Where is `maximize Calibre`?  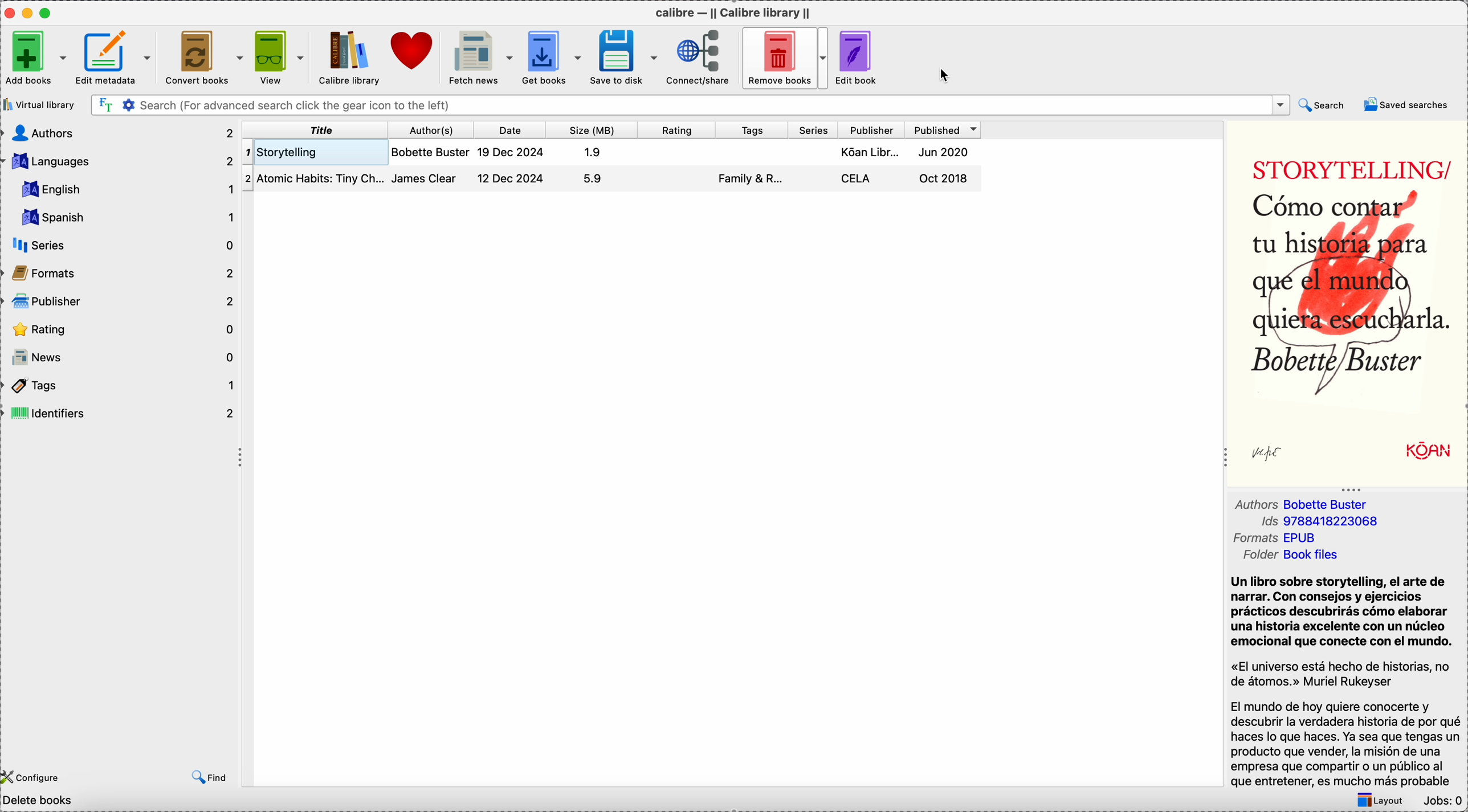 maximize Calibre is located at coordinates (48, 13).